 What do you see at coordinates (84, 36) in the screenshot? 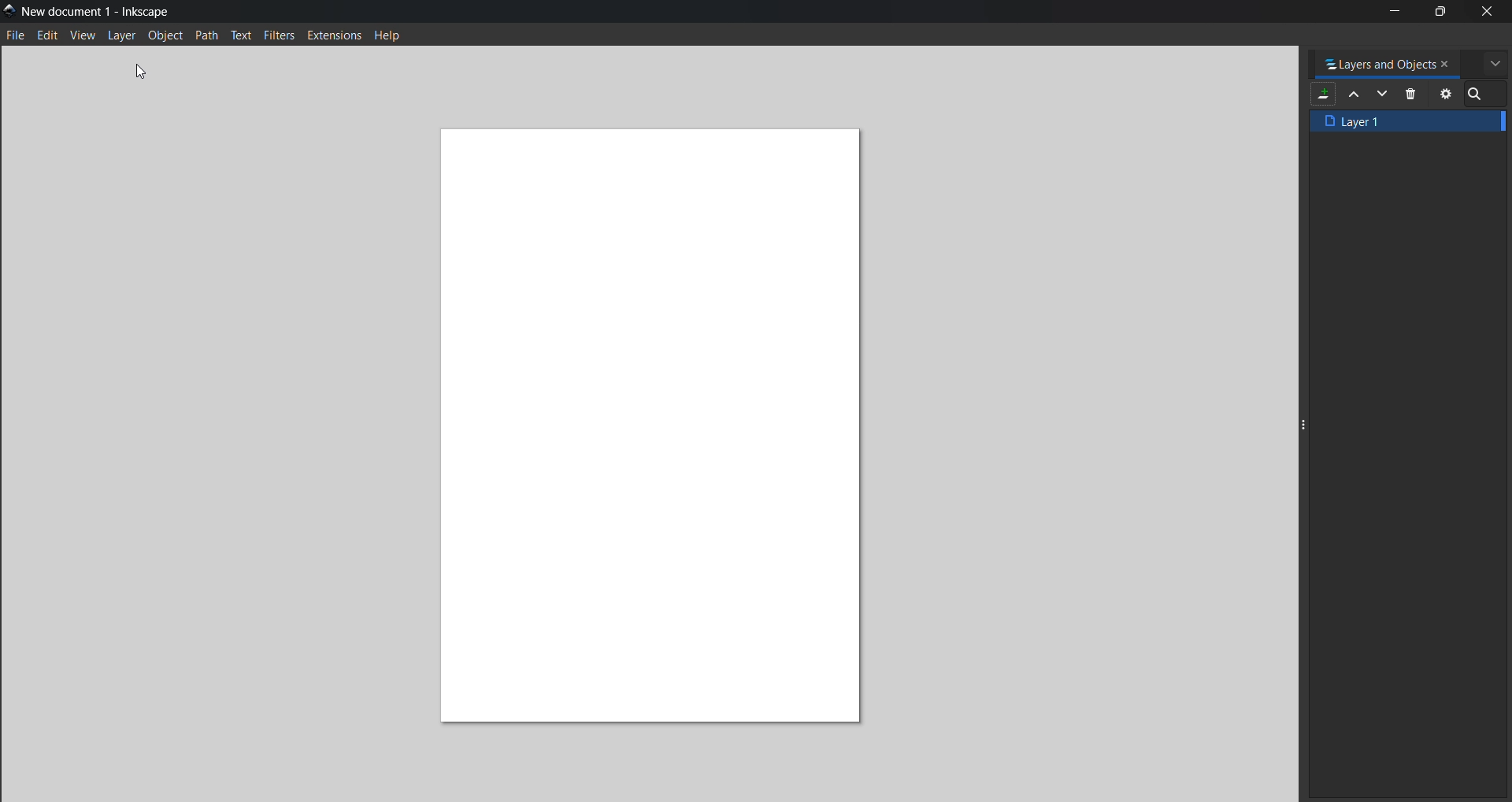
I see `view` at bounding box center [84, 36].